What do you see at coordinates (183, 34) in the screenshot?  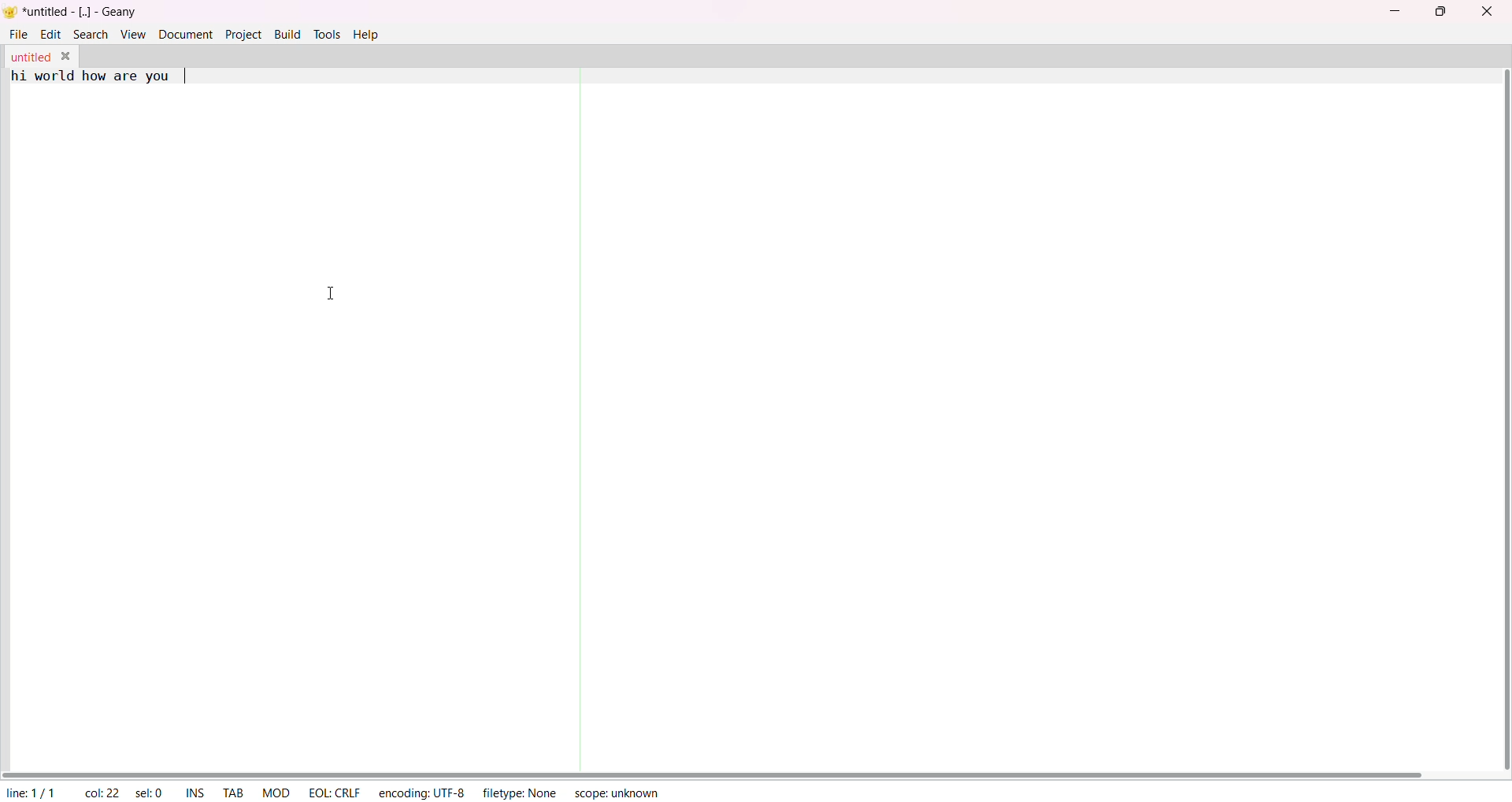 I see `document` at bounding box center [183, 34].